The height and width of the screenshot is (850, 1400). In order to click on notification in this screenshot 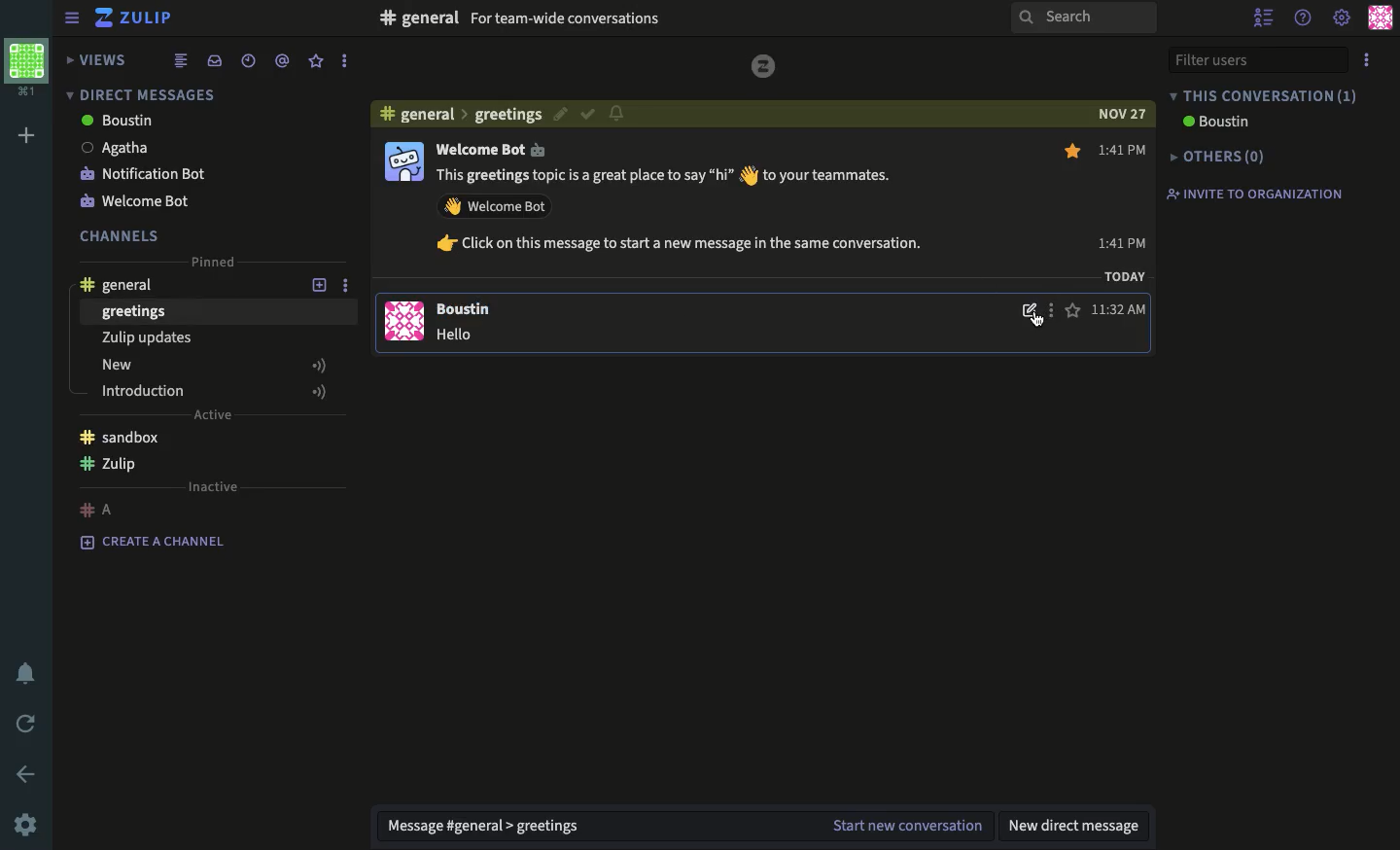, I will do `click(24, 675)`.